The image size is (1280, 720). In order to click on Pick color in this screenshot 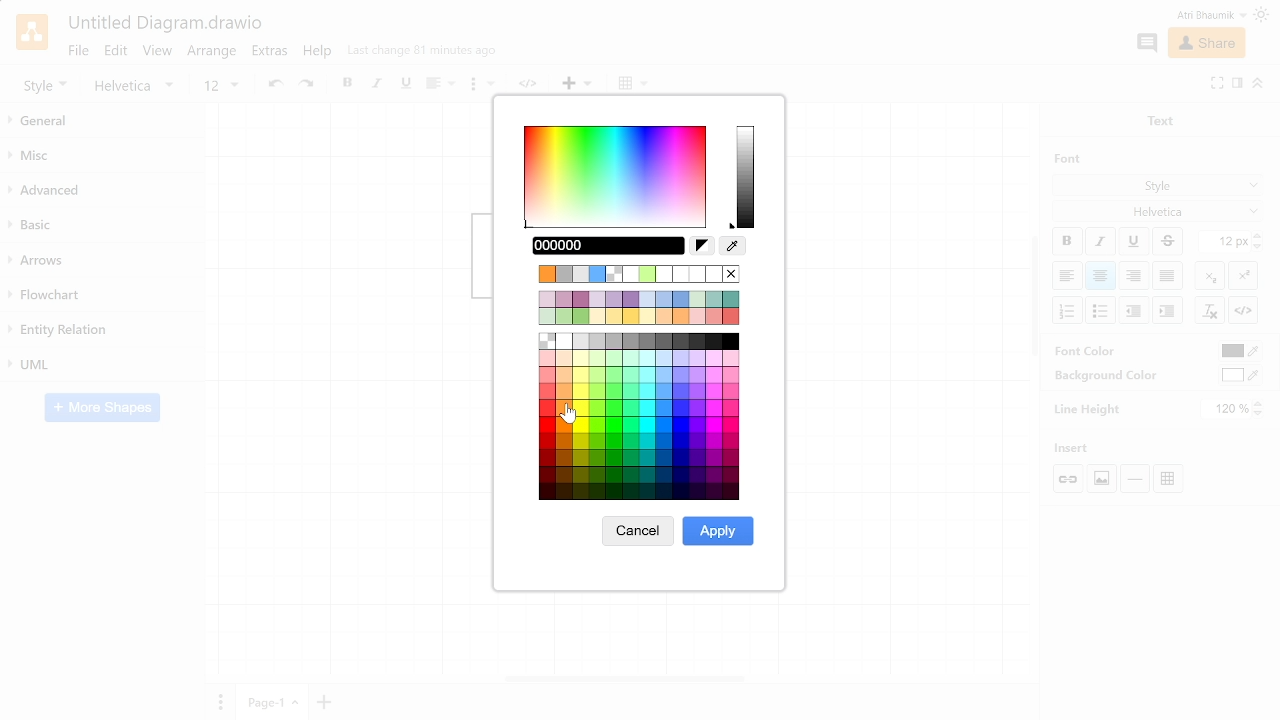, I will do `click(733, 247)`.